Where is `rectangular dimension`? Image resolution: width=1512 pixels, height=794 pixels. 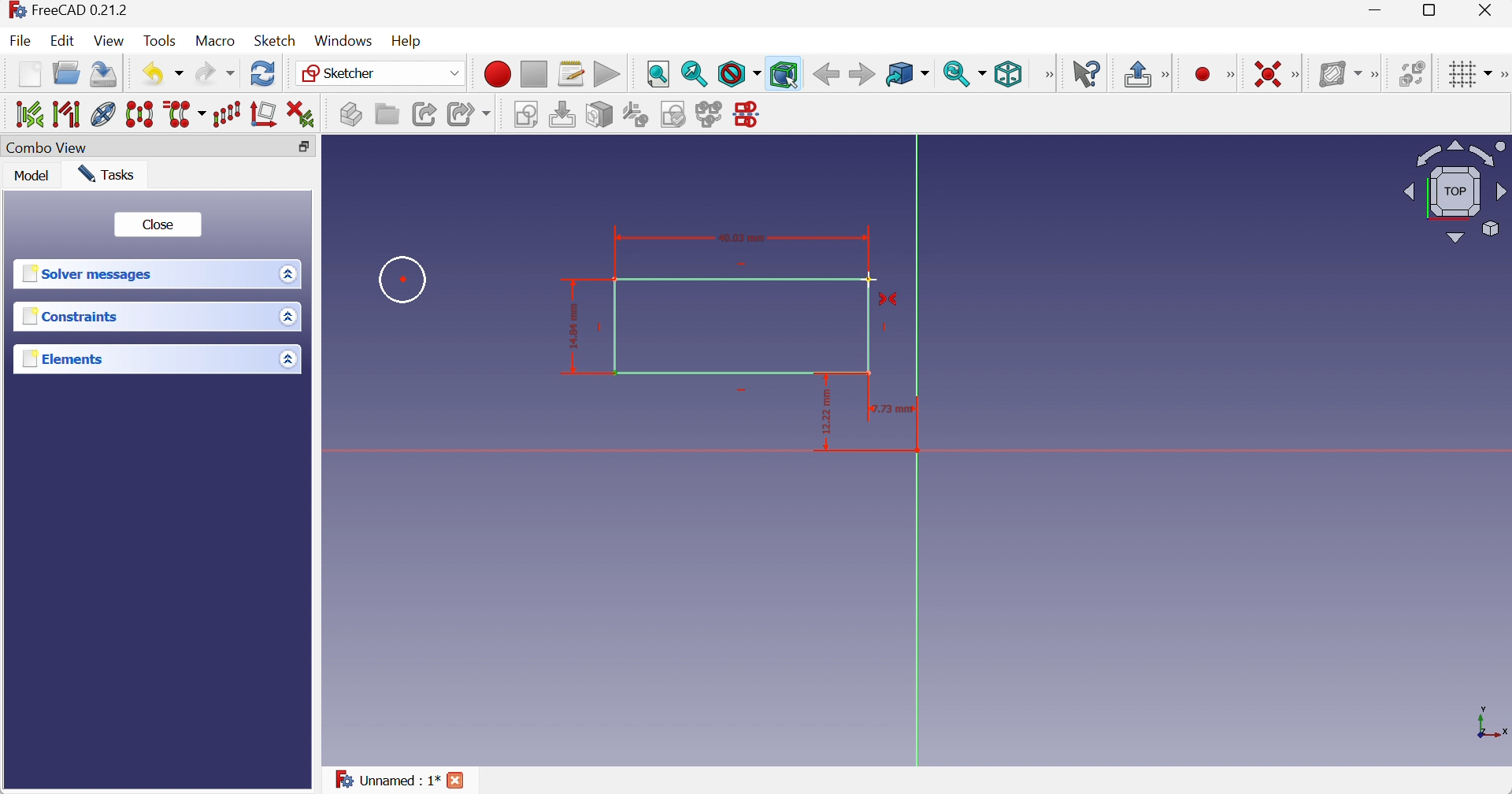 rectangular dimension is located at coordinates (876, 421).